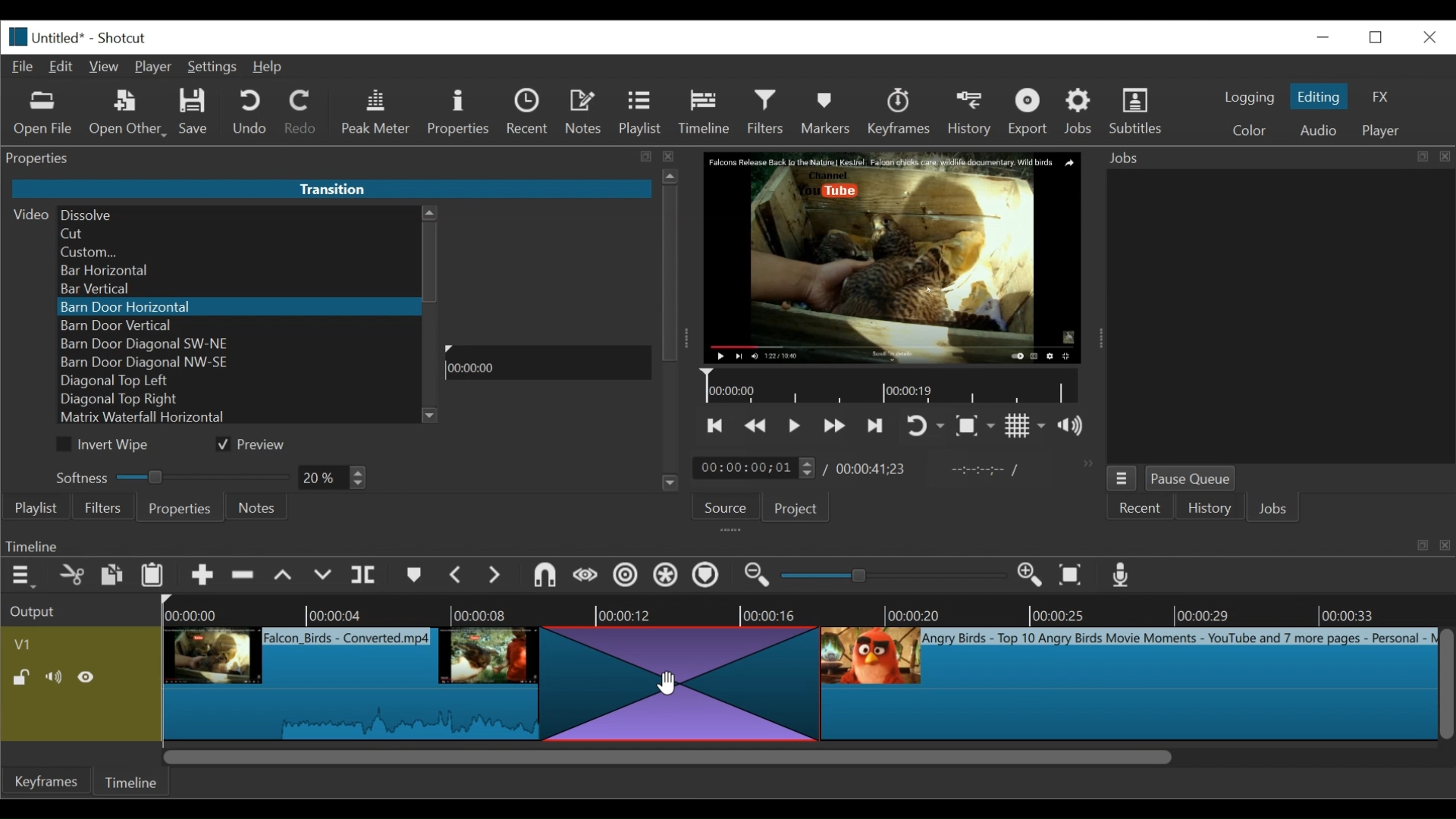 The height and width of the screenshot is (819, 1456). I want to click on Jobs Panel, so click(1277, 158).